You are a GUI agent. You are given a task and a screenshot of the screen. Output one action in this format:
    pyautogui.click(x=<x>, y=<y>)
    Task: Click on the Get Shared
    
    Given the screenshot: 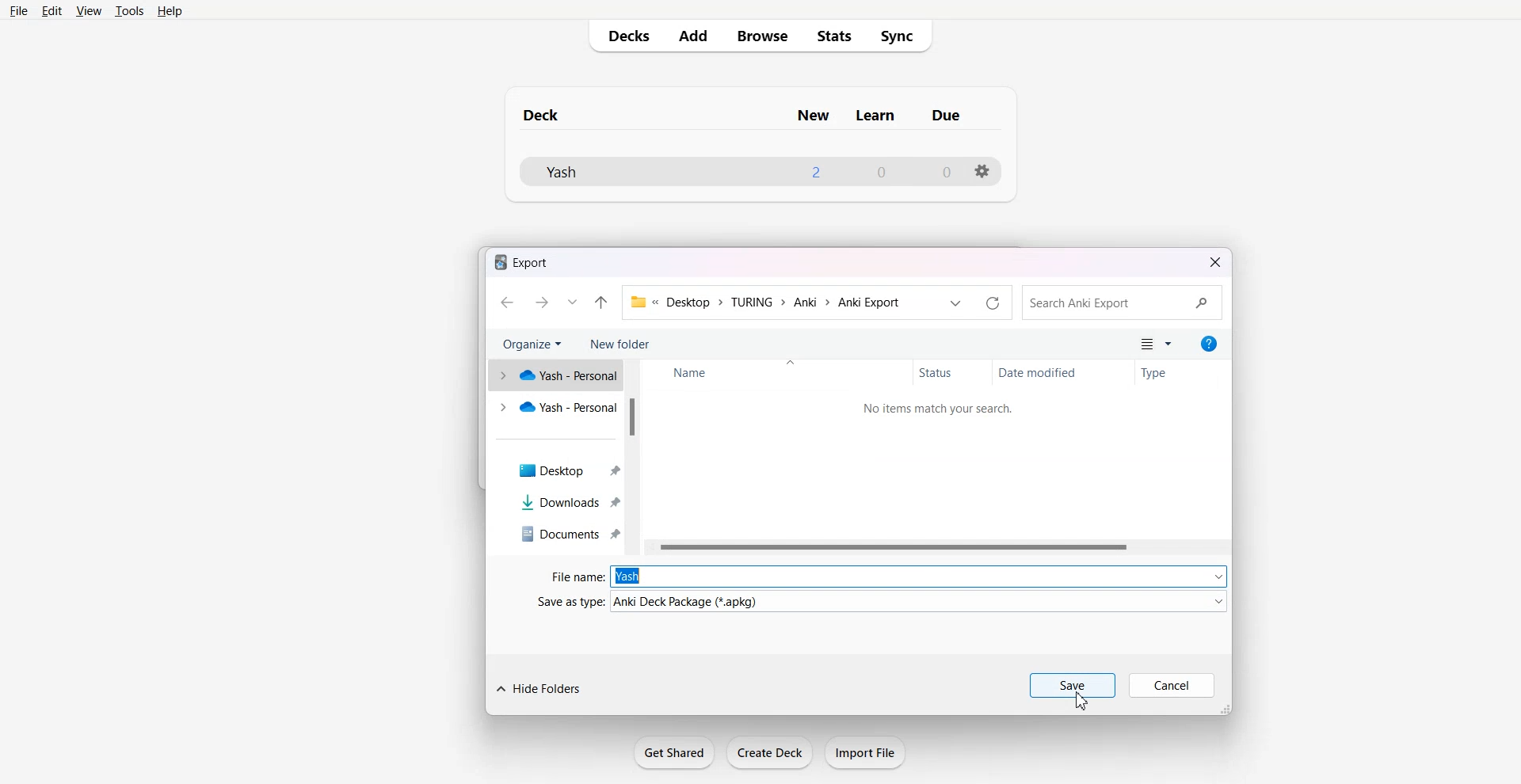 What is the action you would take?
    pyautogui.click(x=674, y=752)
    